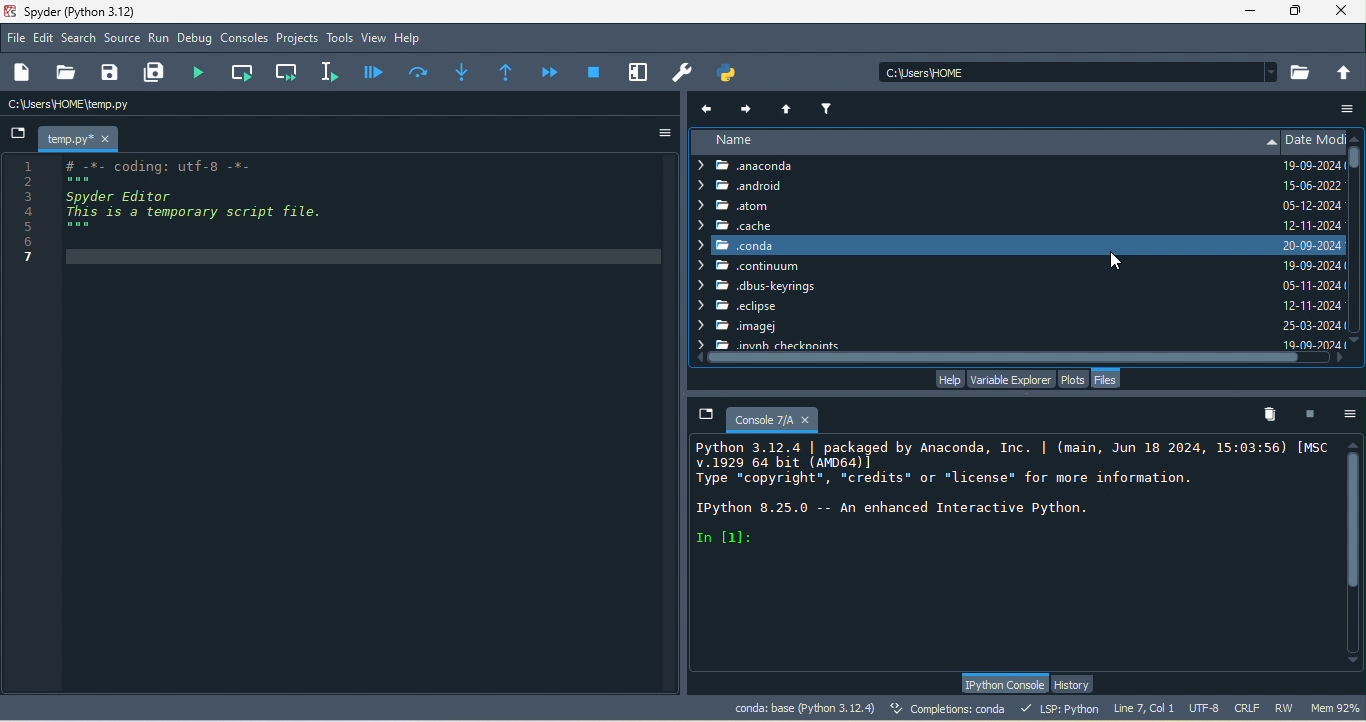 Image resolution: width=1366 pixels, height=722 pixels. Describe the element at coordinates (1353, 443) in the screenshot. I see `scroll up` at that location.